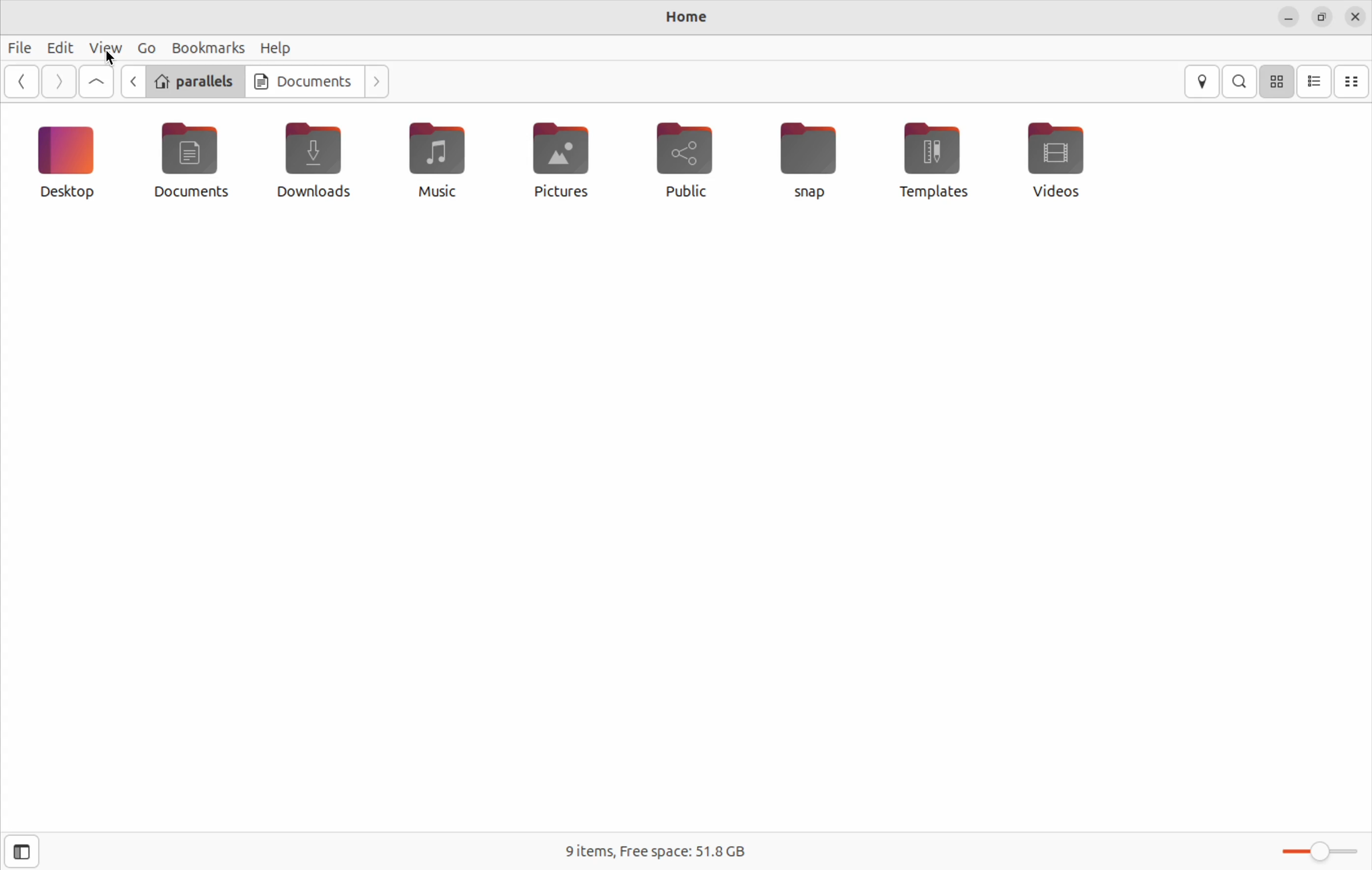 This screenshot has height=870, width=1372. I want to click on help, so click(277, 48).